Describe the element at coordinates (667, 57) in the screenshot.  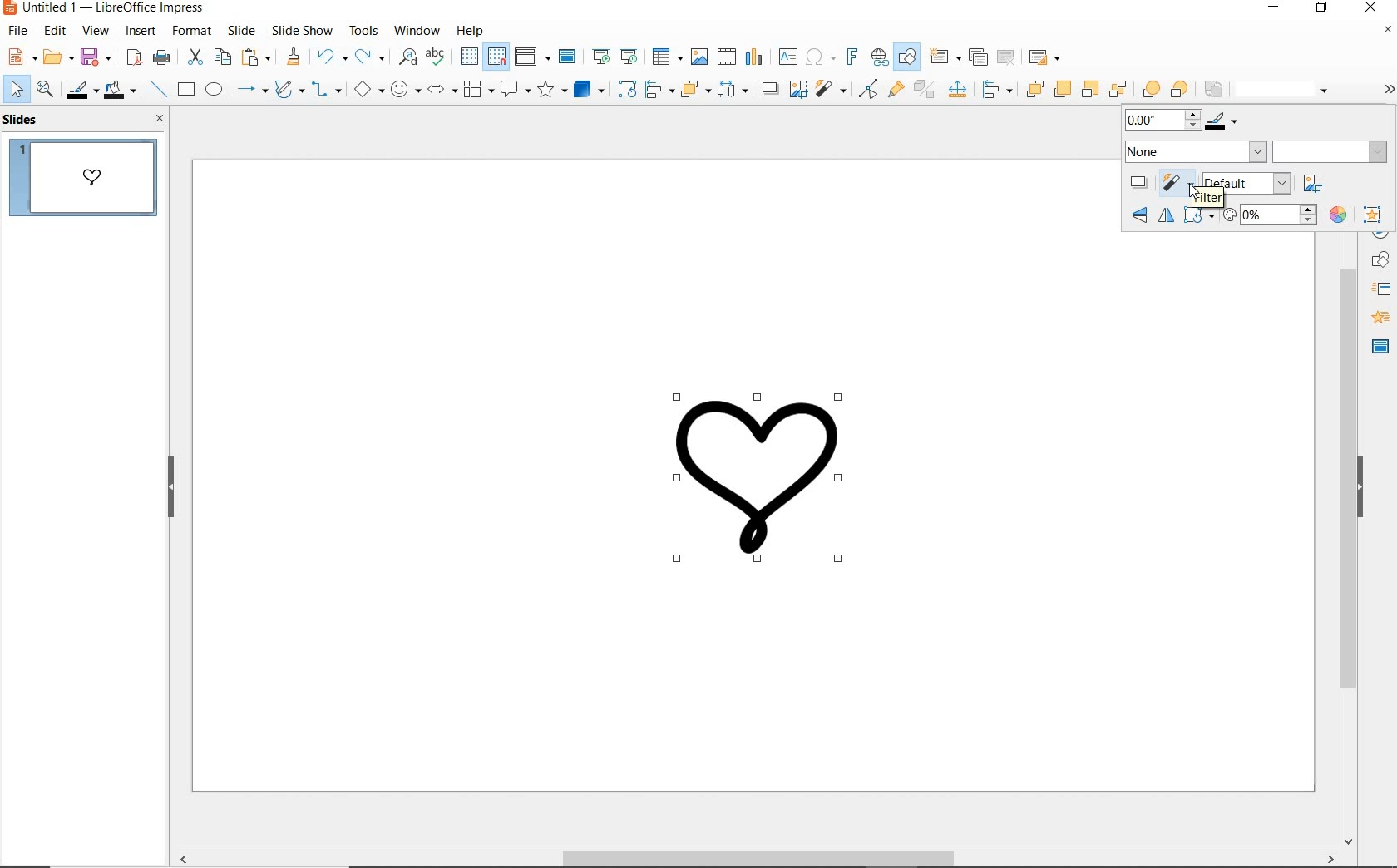
I see `insert table` at that location.